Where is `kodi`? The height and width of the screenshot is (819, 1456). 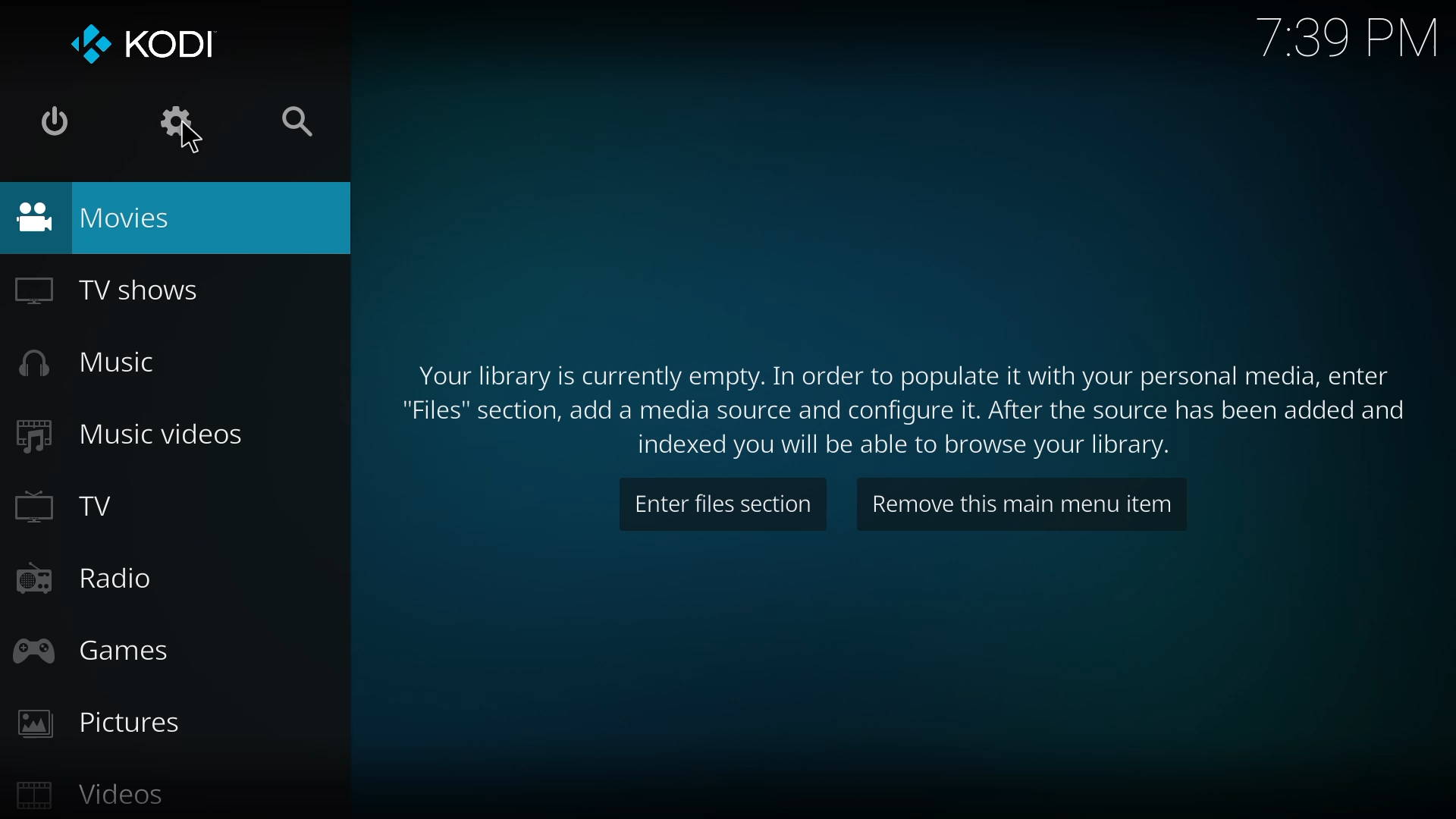 kodi is located at coordinates (141, 42).